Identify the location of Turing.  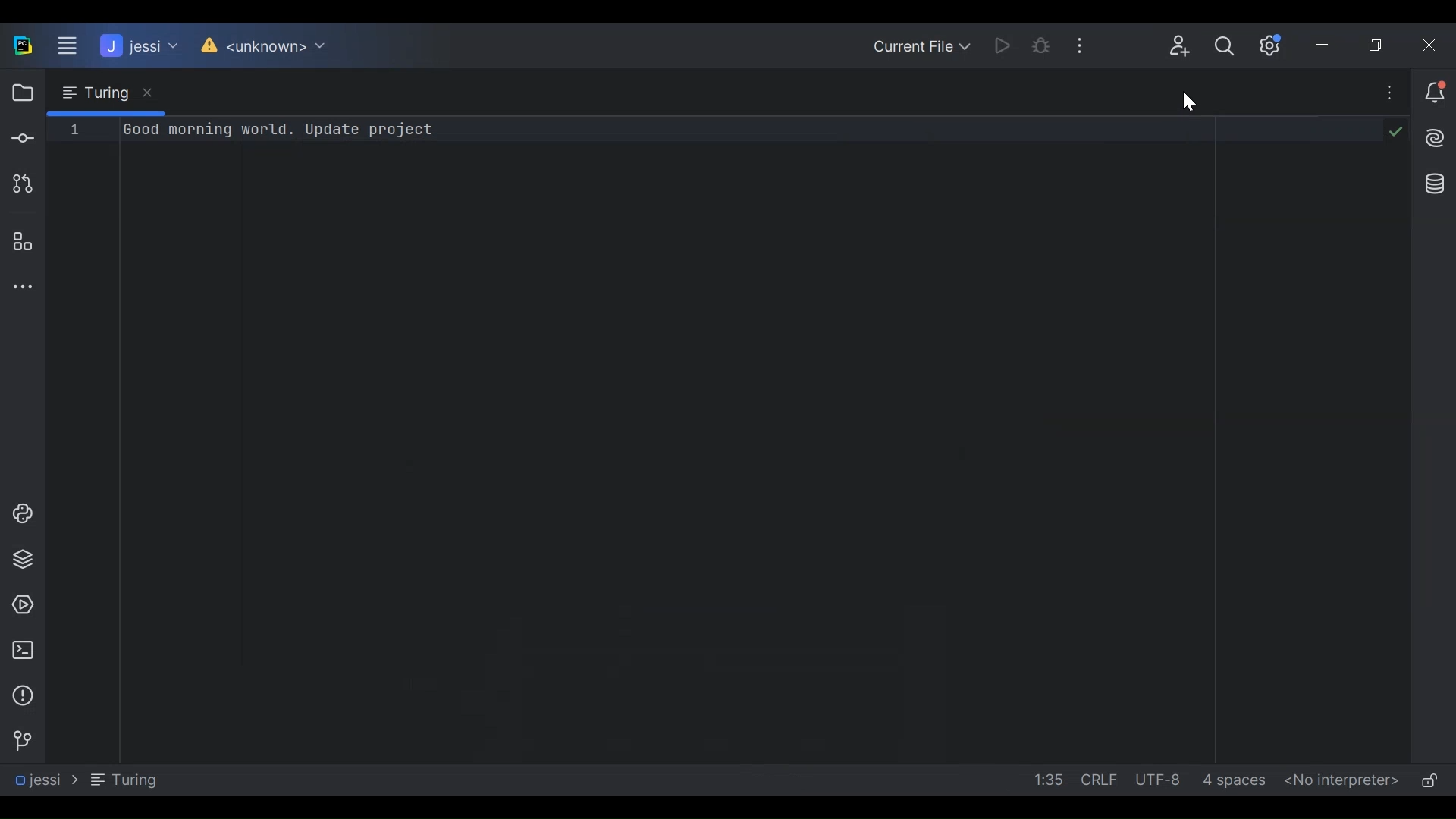
(105, 93).